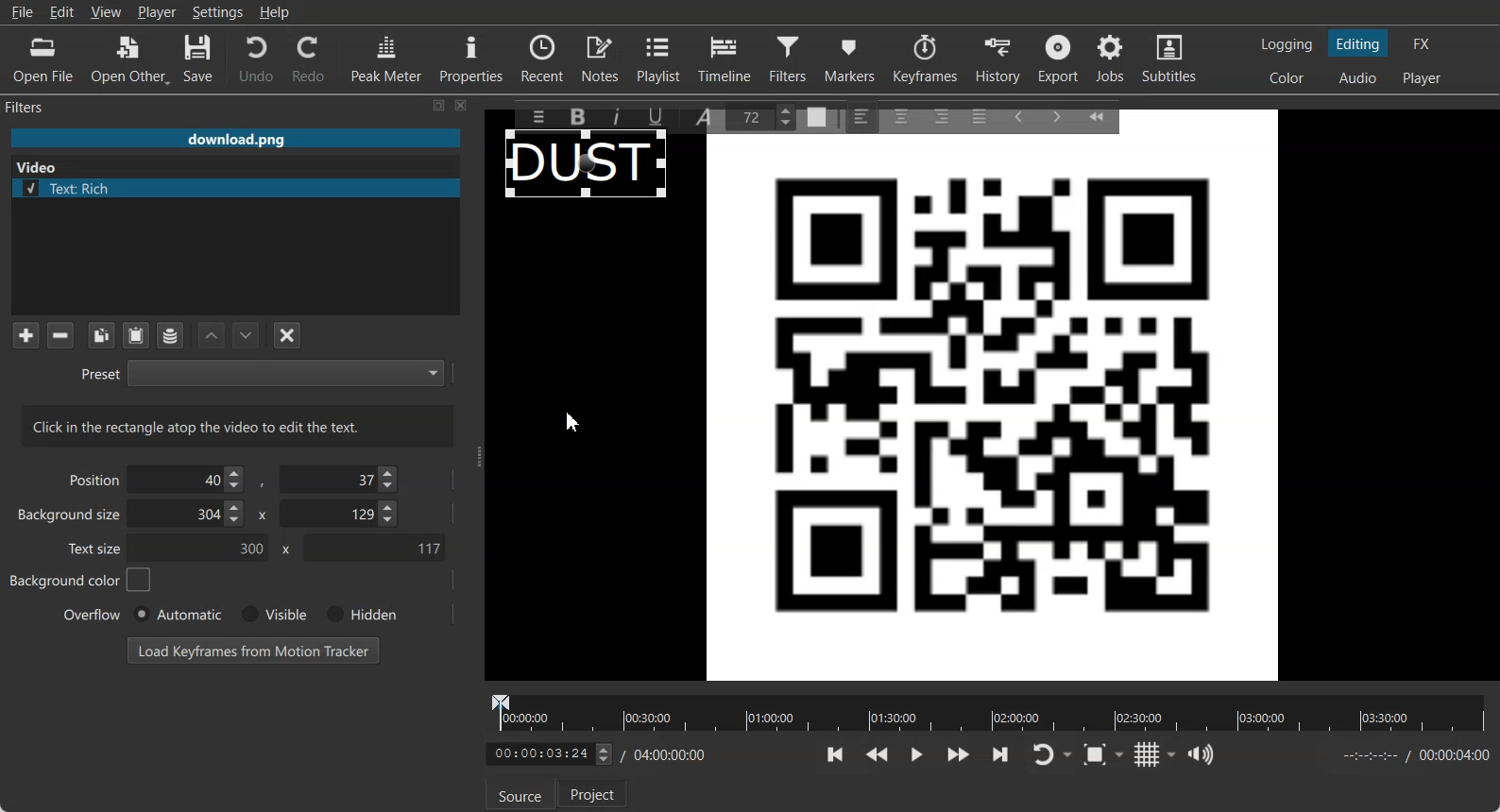 The image size is (1500, 812). What do you see at coordinates (878, 754) in the screenshot?
I see `Play Quickly backward` at bounding box center [878, 754].